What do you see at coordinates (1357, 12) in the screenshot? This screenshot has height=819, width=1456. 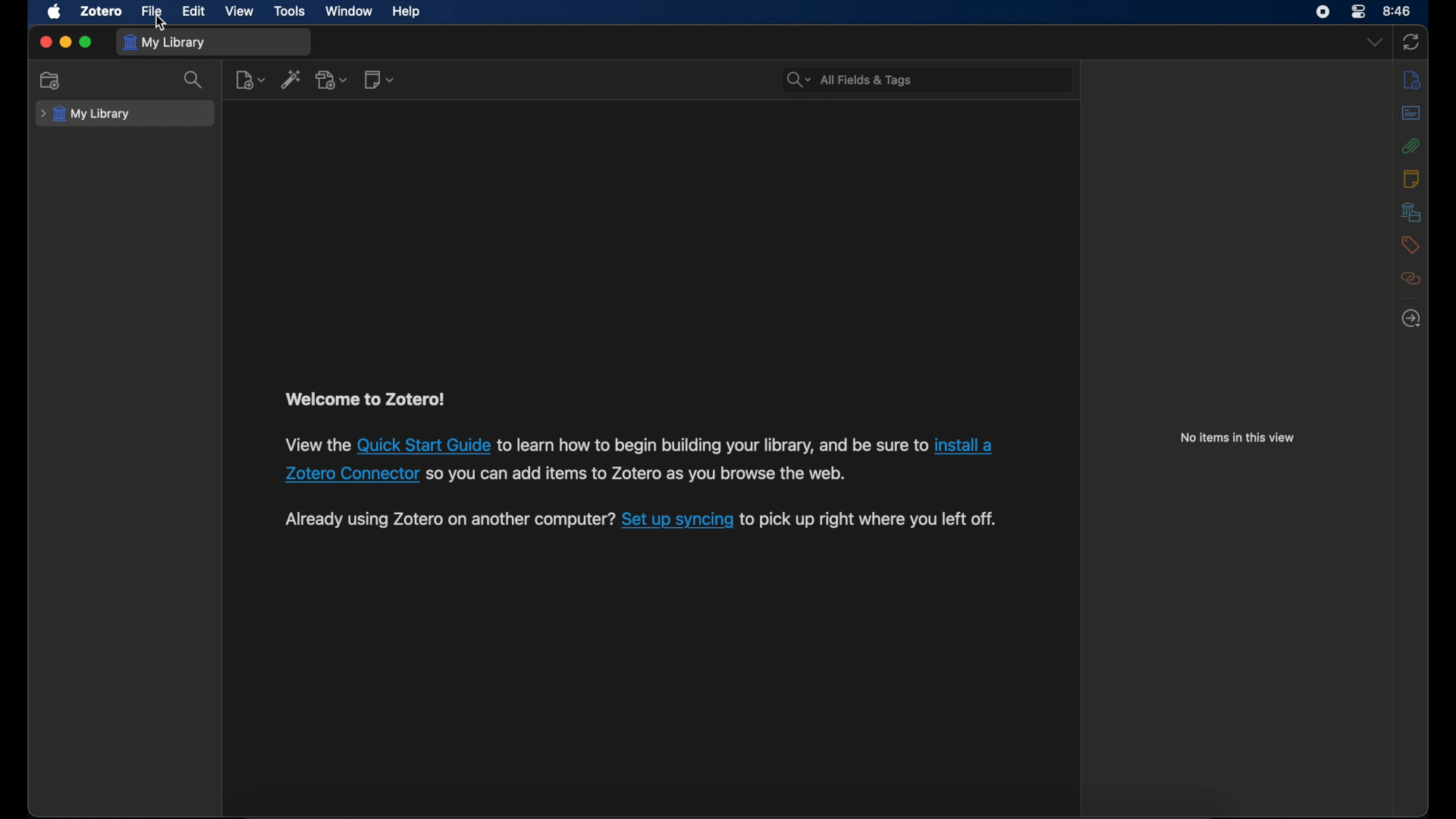 I see `control center` at bounding box center [1357, 12].